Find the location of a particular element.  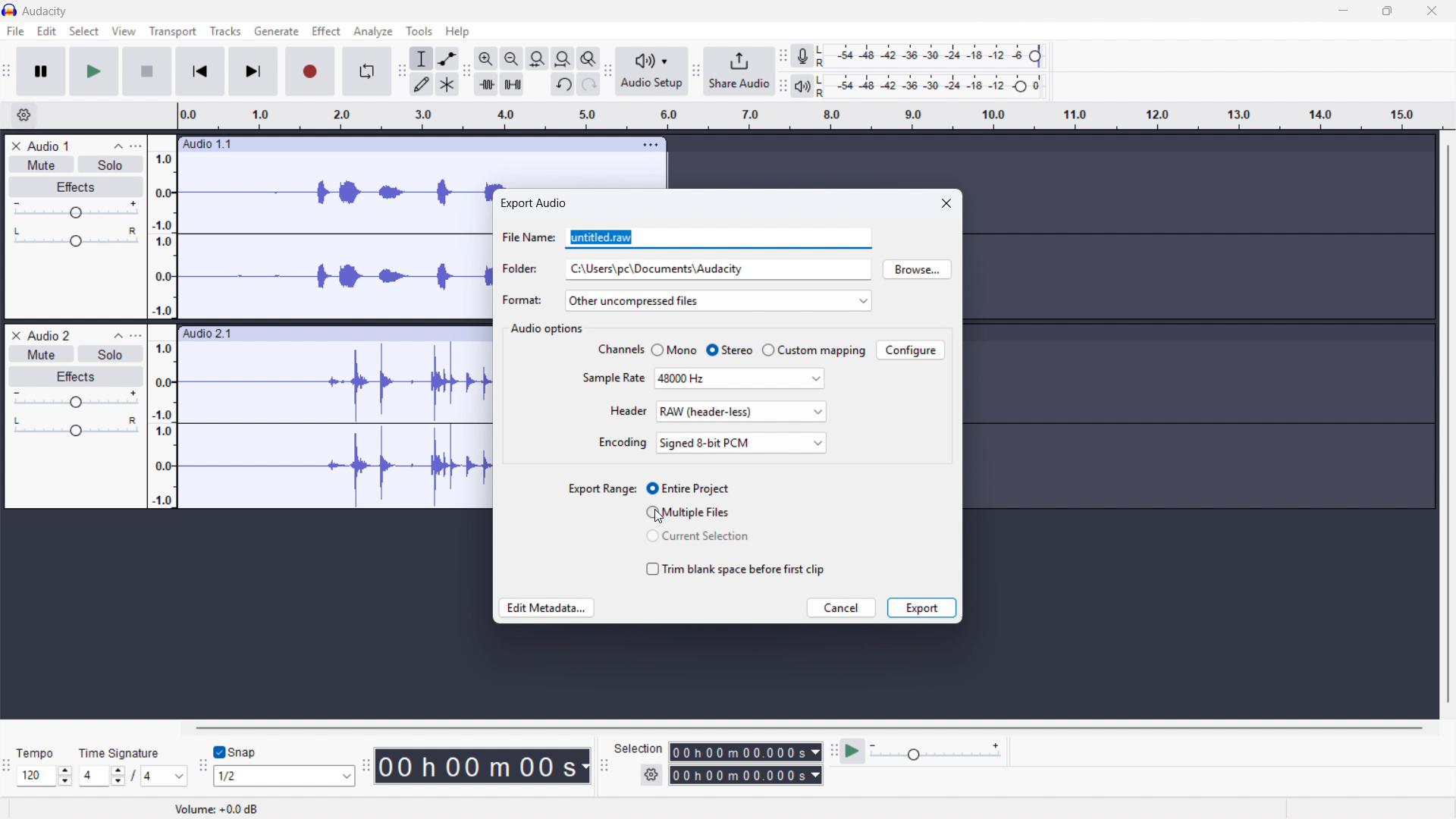

Set sample rate  is located at coordinates (740, 378).